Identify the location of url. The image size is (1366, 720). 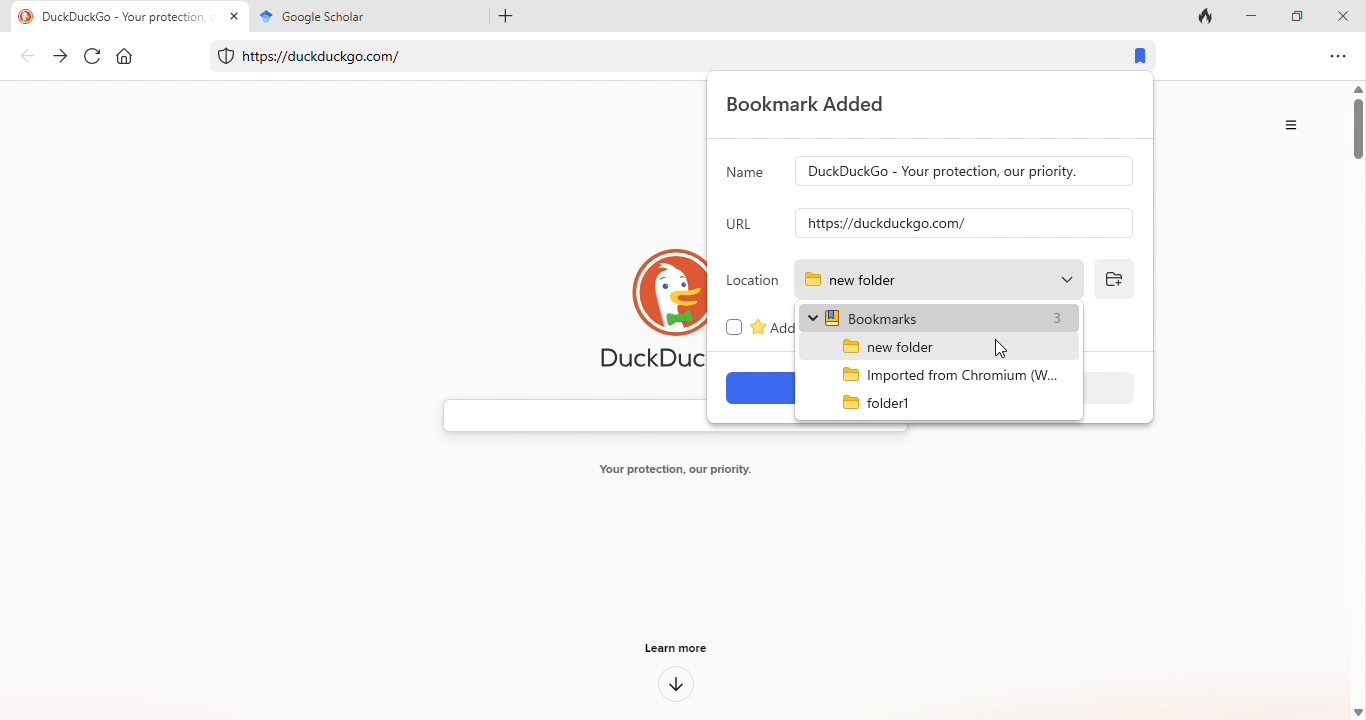
(742, 224).